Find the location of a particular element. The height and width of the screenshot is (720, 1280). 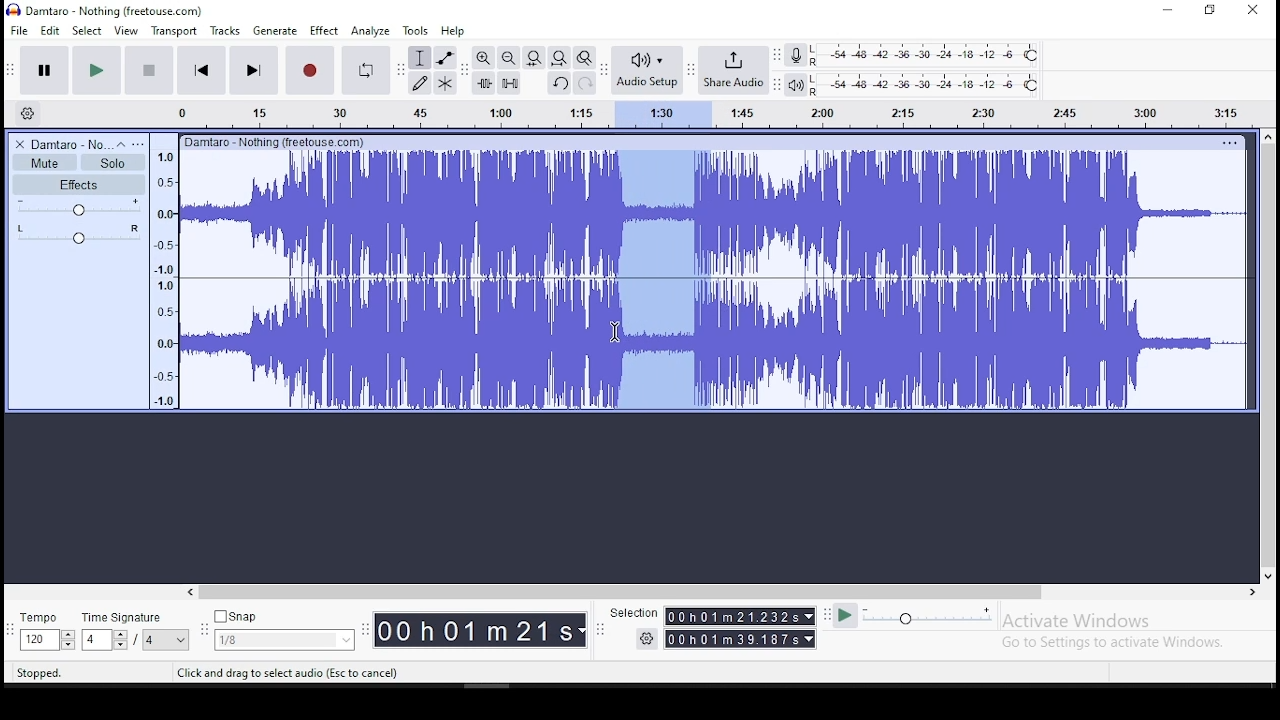

Audio bar is located at coordinates (694, 111).